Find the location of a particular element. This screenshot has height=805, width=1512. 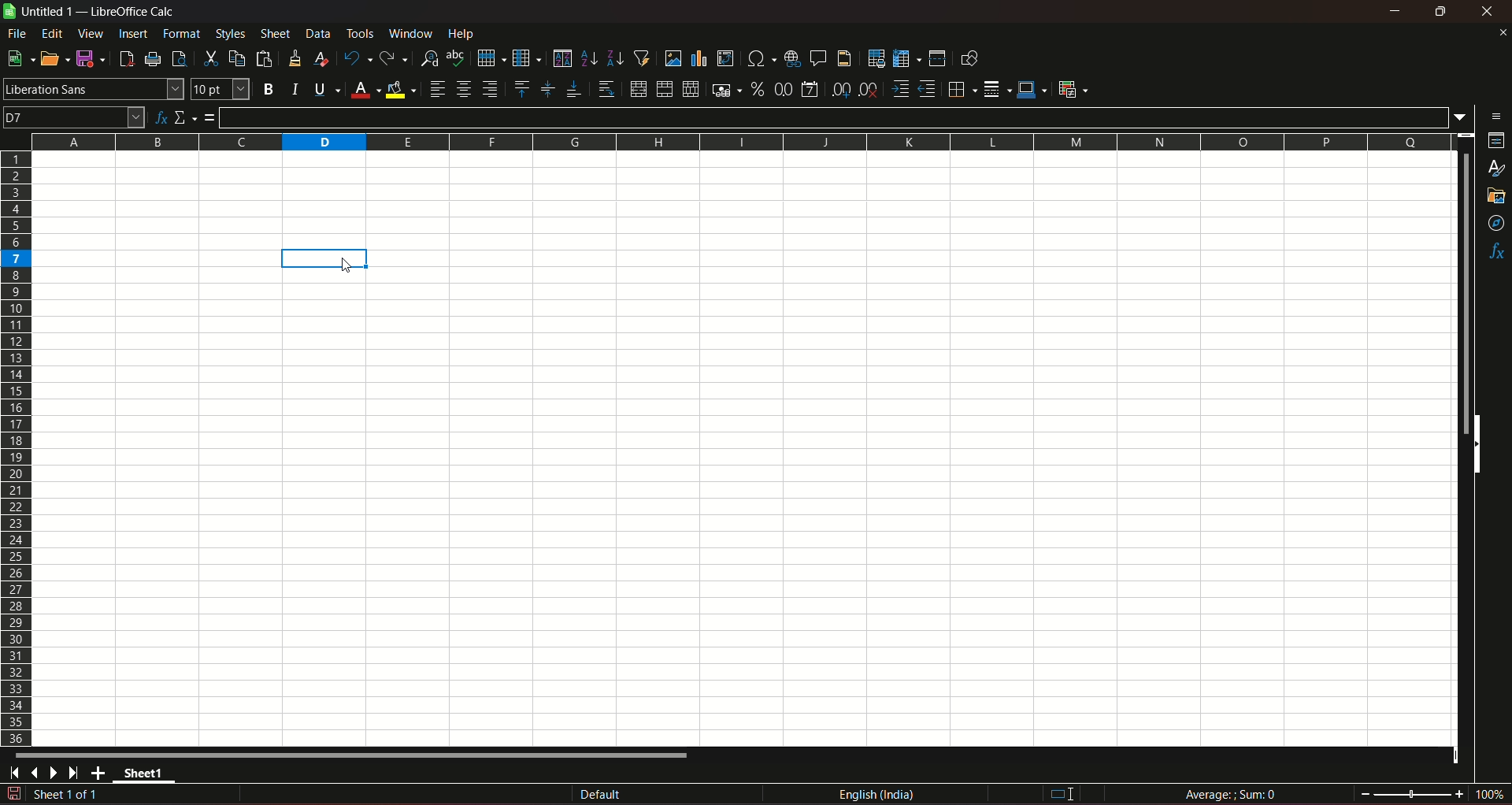

define print area is located at coordinates (876, 59).